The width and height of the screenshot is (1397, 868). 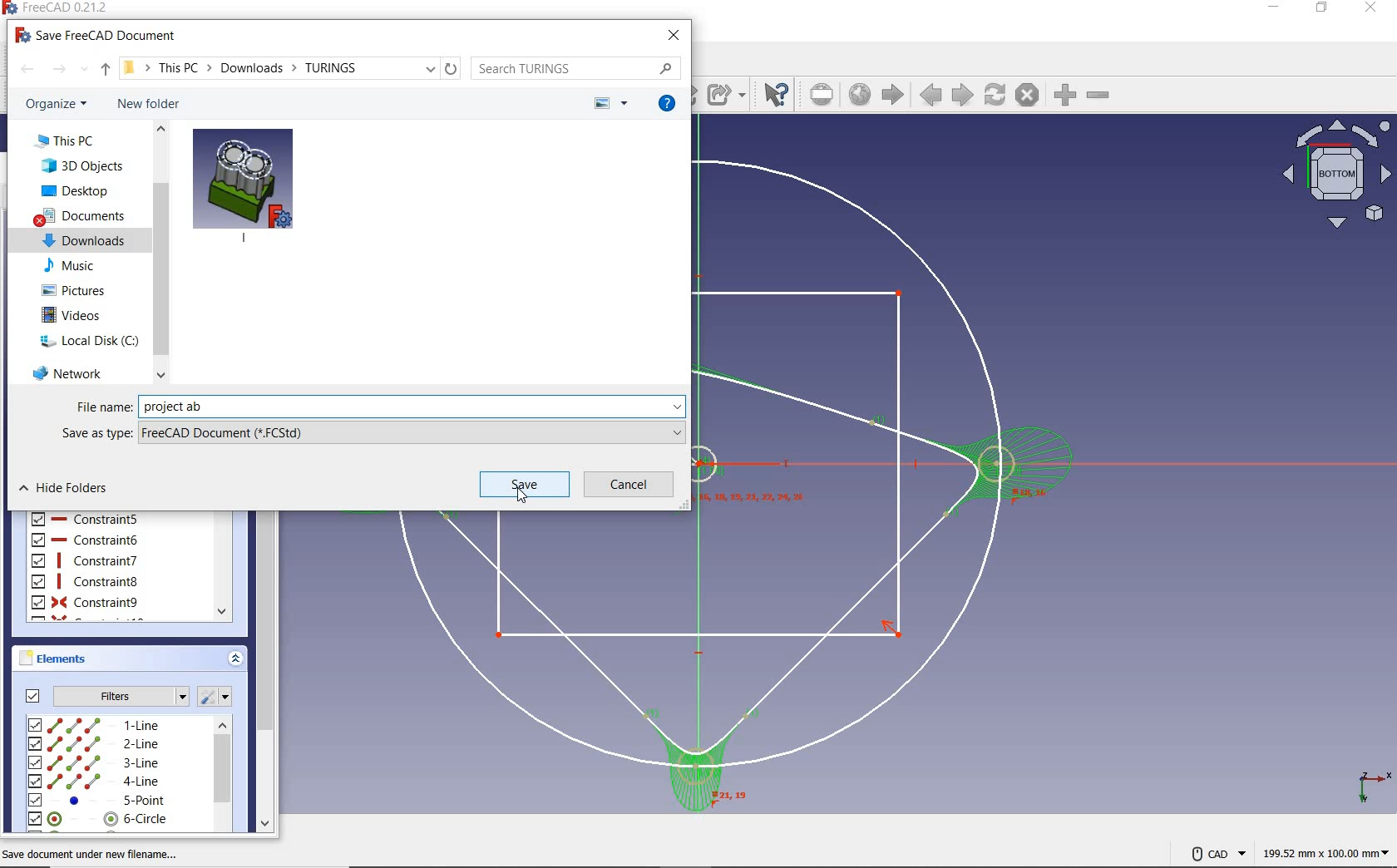 What do you see at coordinates (1274, 7) in the screenshot?
I see `minimize` at bounding box center [1274, 7].